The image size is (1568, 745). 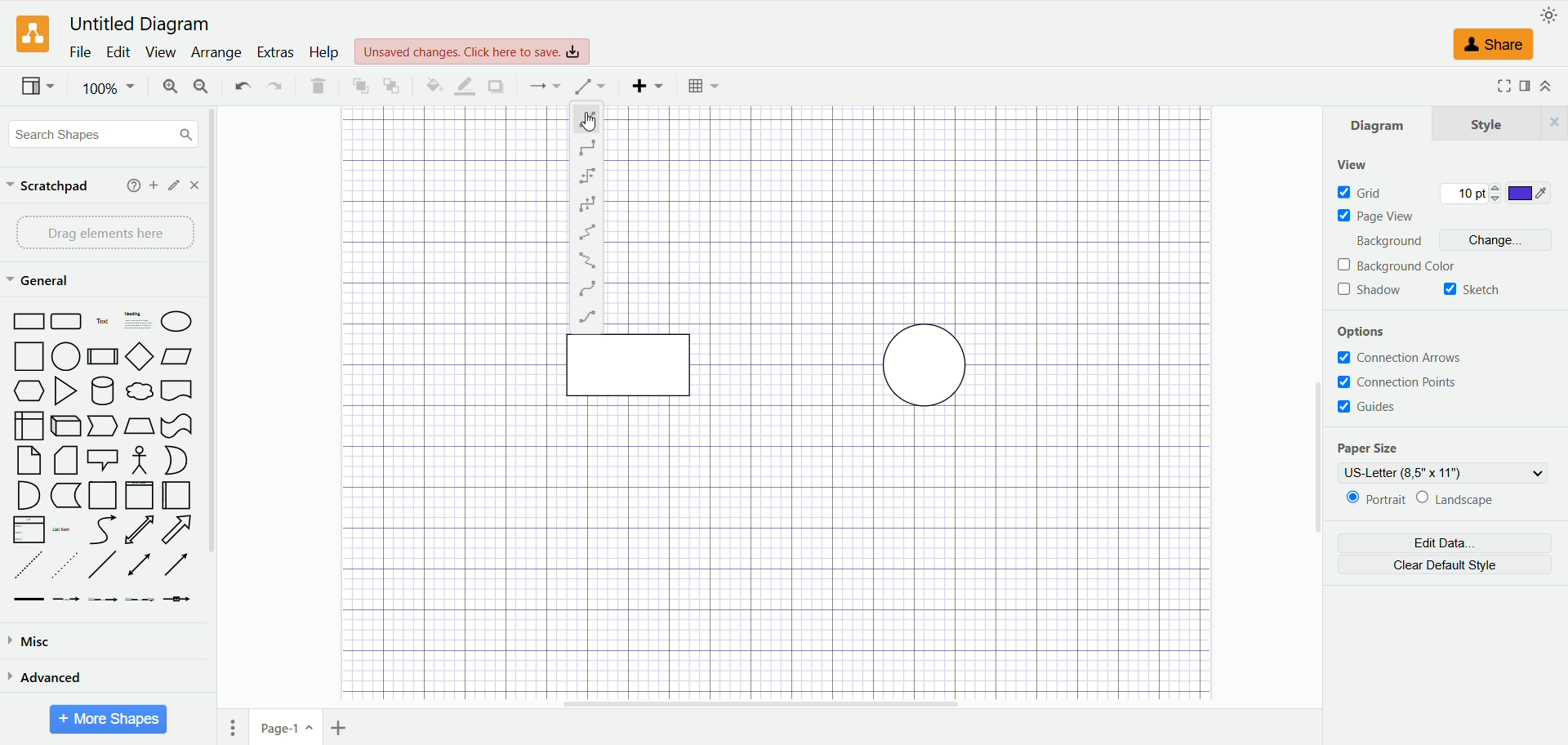 I want to click on view, so click(x=162, y=51).